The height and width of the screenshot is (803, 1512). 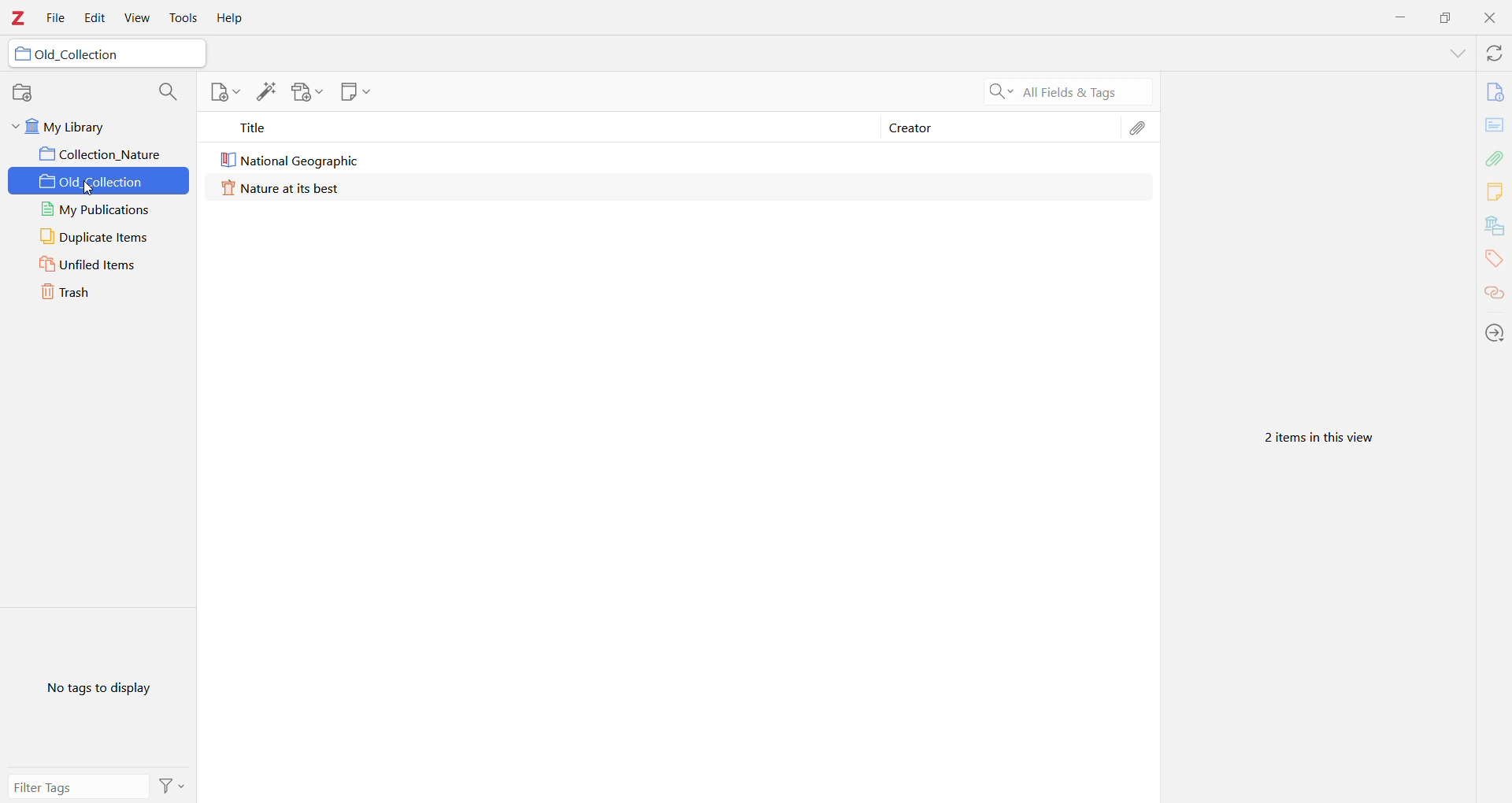 I want to click on Tools, so click(x=185, y=18).